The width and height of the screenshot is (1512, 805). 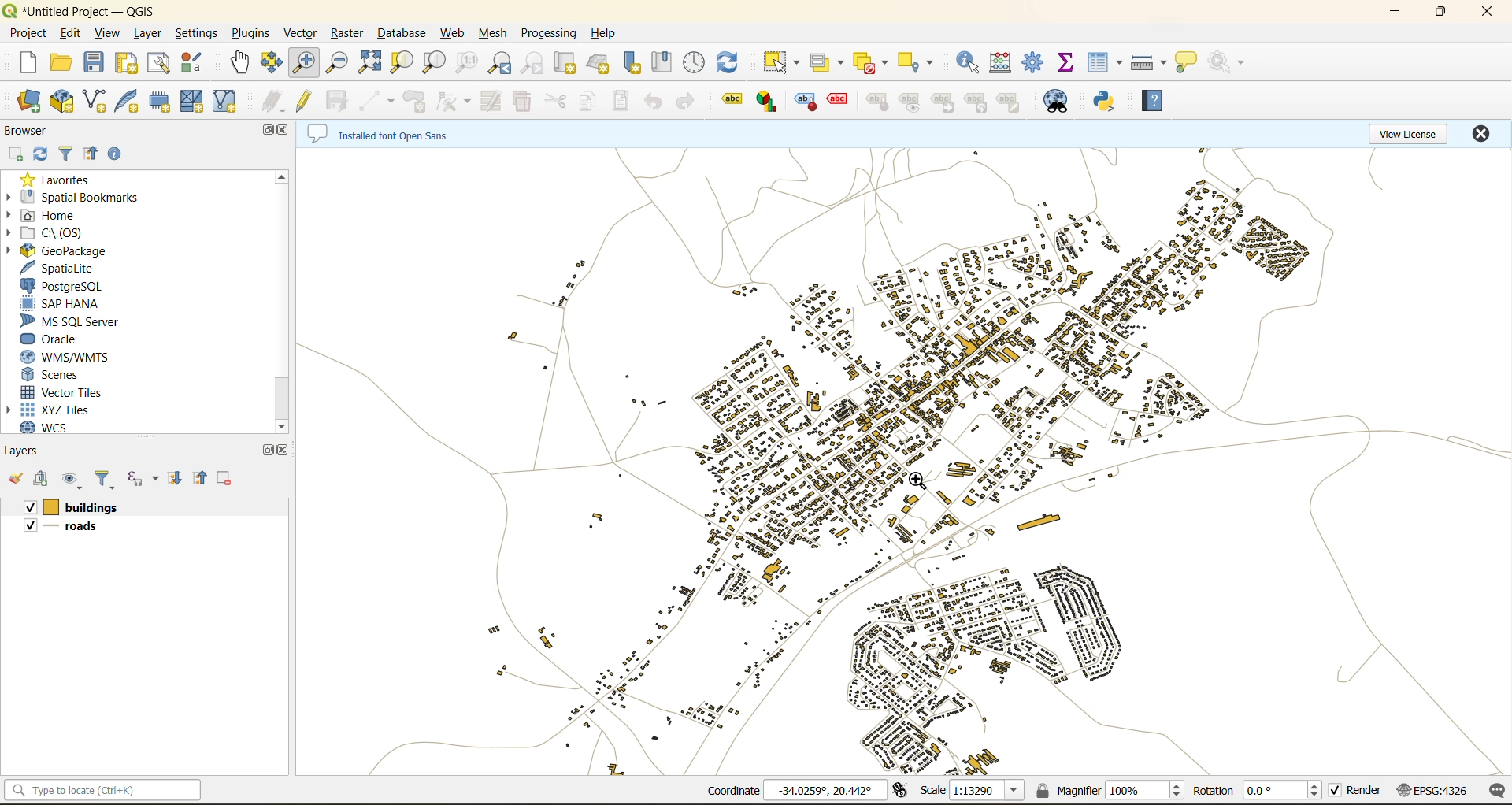 What do you see at coordinates (28, 34) in the screenshot?
I see `project` at bounding box center [28, 34].